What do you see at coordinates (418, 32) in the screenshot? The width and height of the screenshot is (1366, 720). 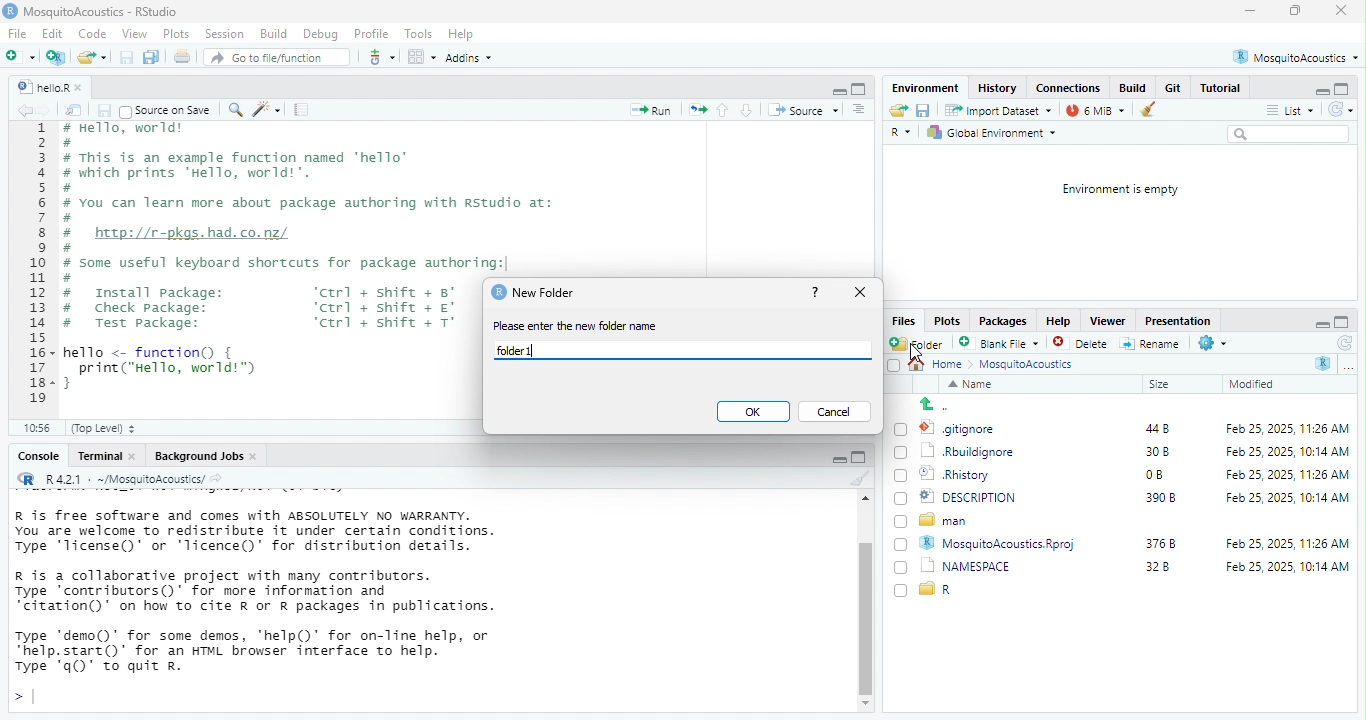 I see `Tools` at bounding box center [418, 32].